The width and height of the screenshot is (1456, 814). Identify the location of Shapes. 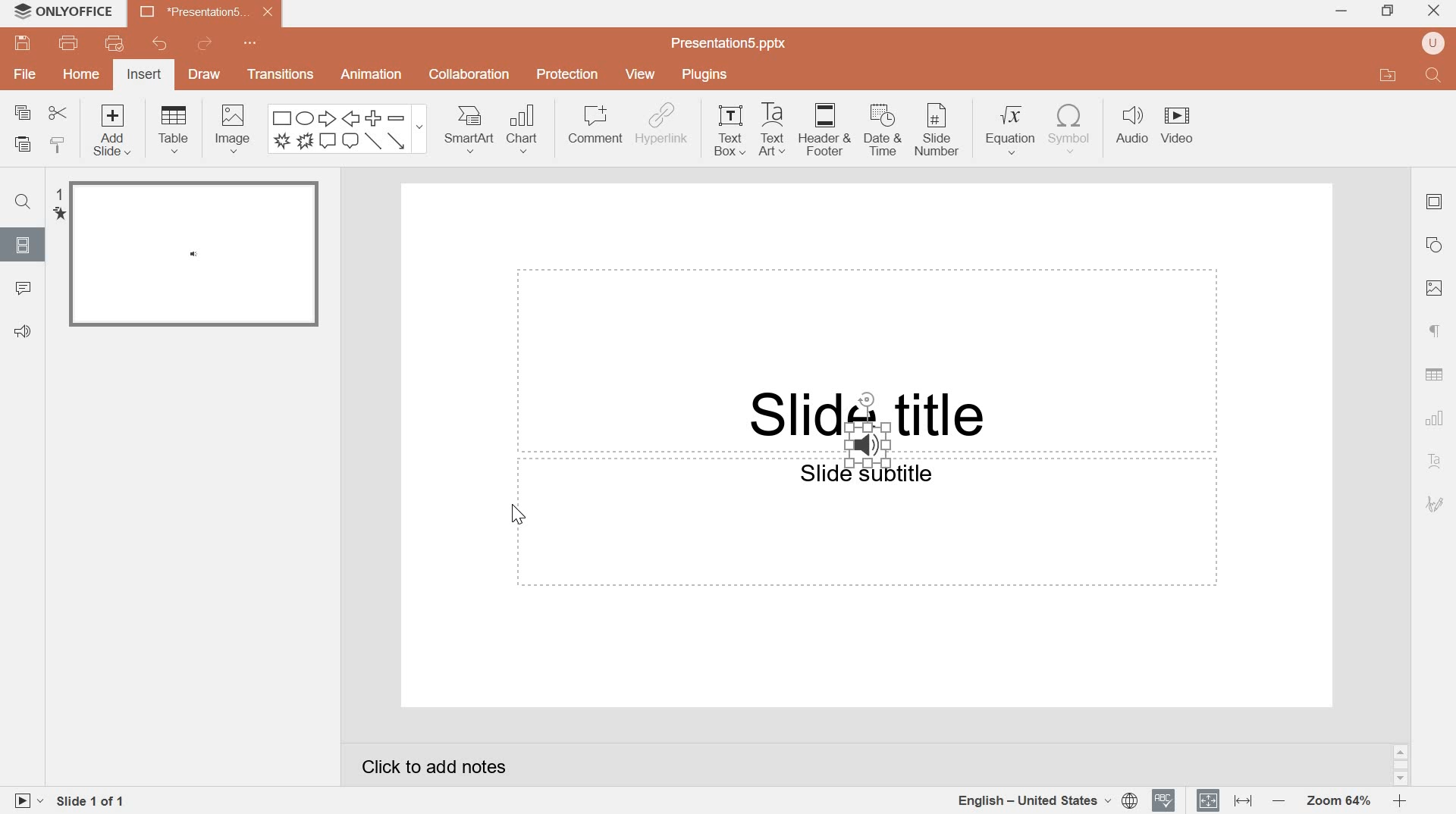
(347, 129).